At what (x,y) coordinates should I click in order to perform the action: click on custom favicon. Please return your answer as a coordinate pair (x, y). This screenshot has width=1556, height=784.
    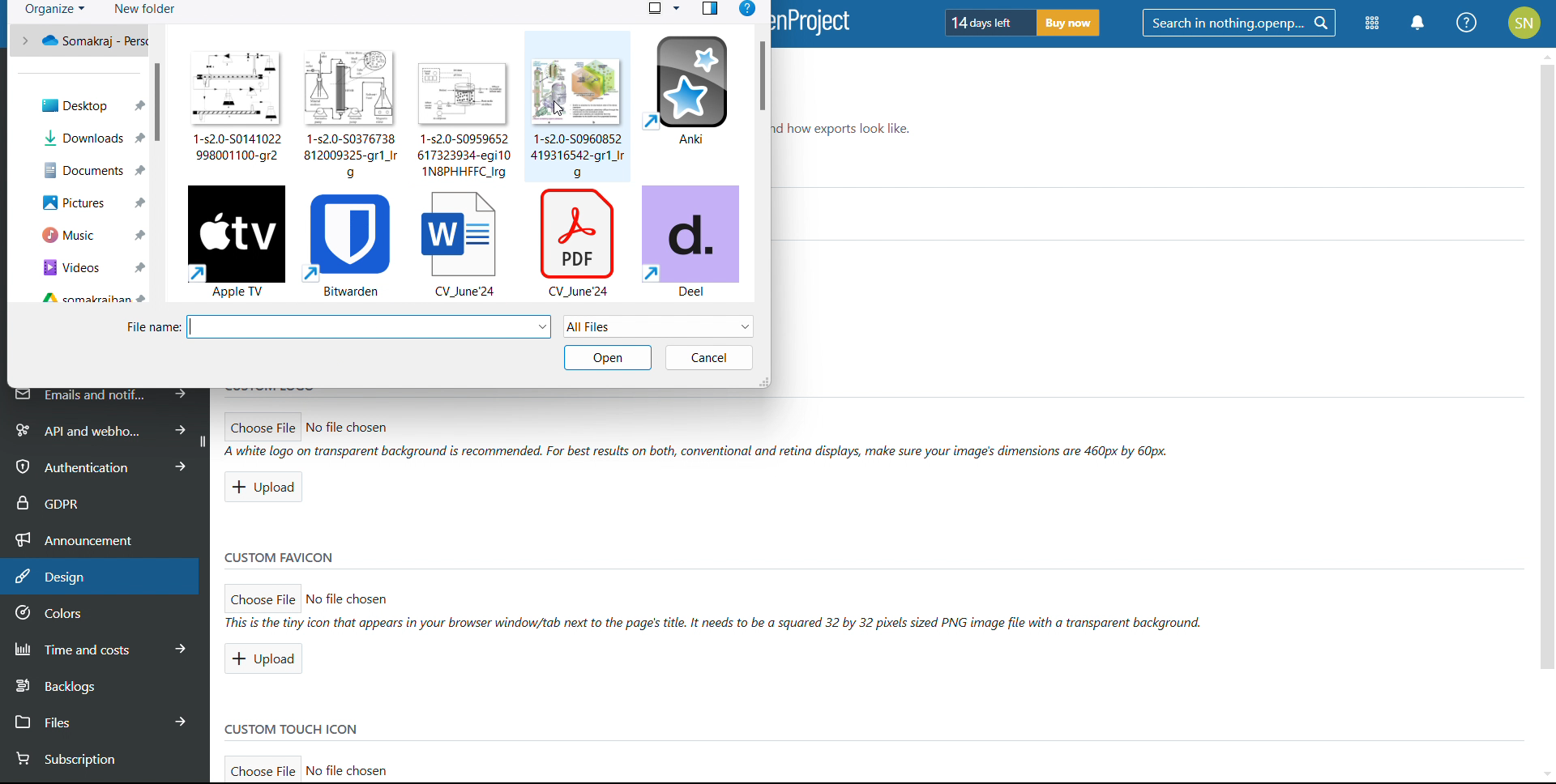
    Looking at the image, I should click on (280, 556).